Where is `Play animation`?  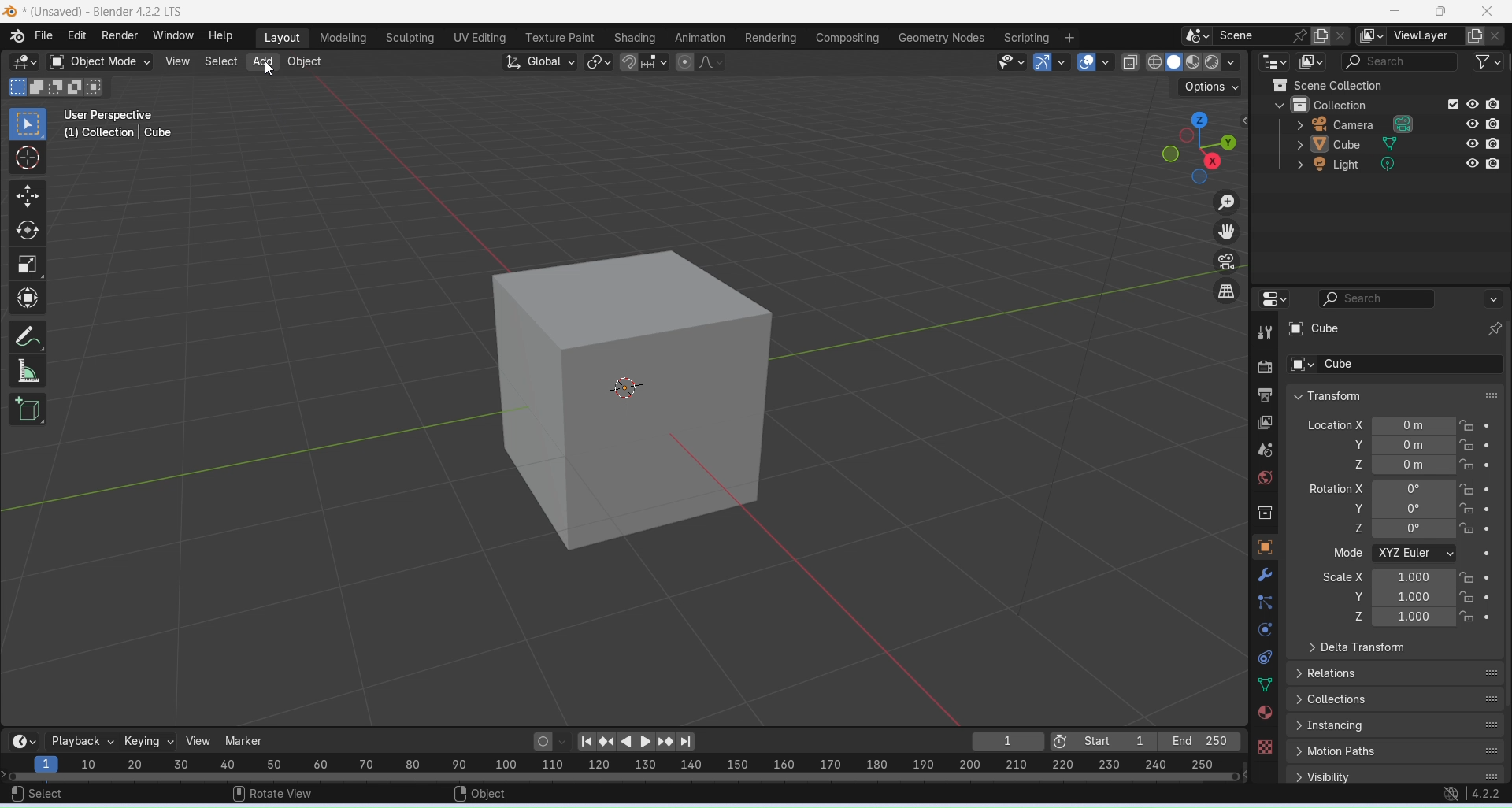 Play animation is located at coordinates (645, 743).